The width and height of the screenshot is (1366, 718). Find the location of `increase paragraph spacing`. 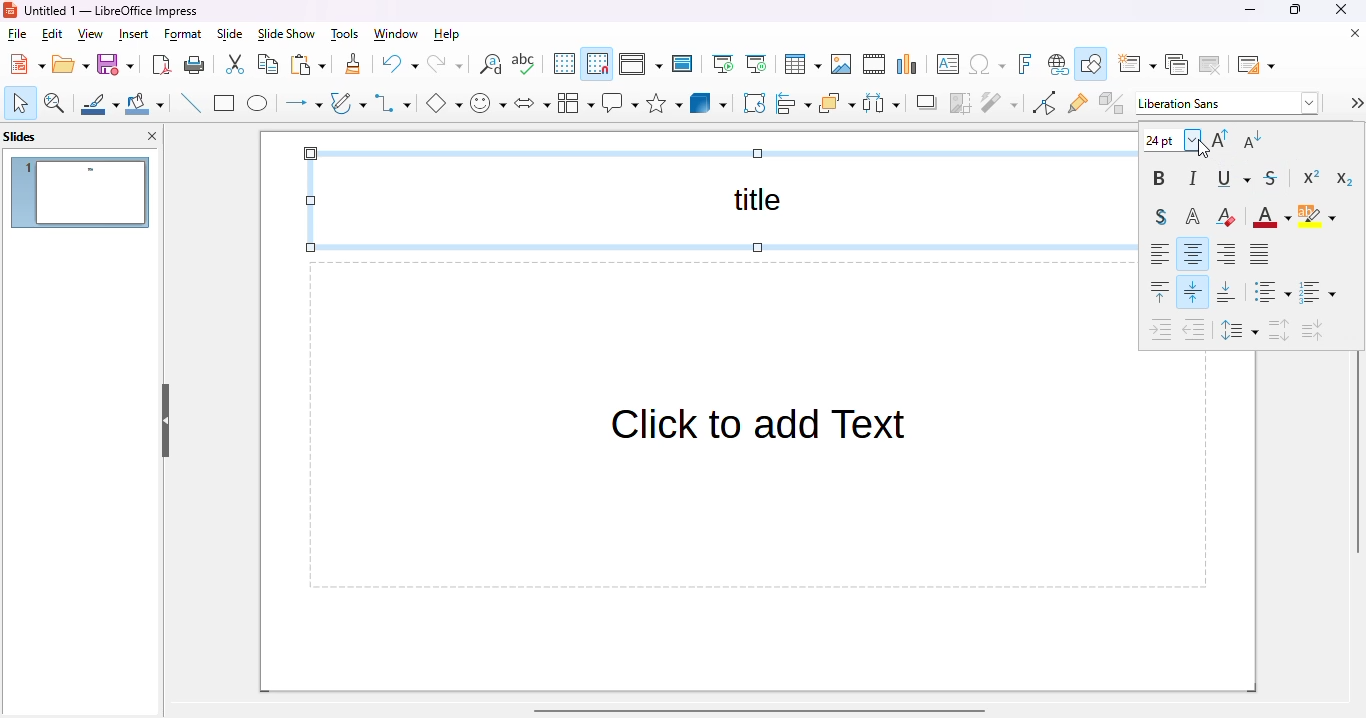

increase paragraph spacing is located at coordinates (1280, 330).